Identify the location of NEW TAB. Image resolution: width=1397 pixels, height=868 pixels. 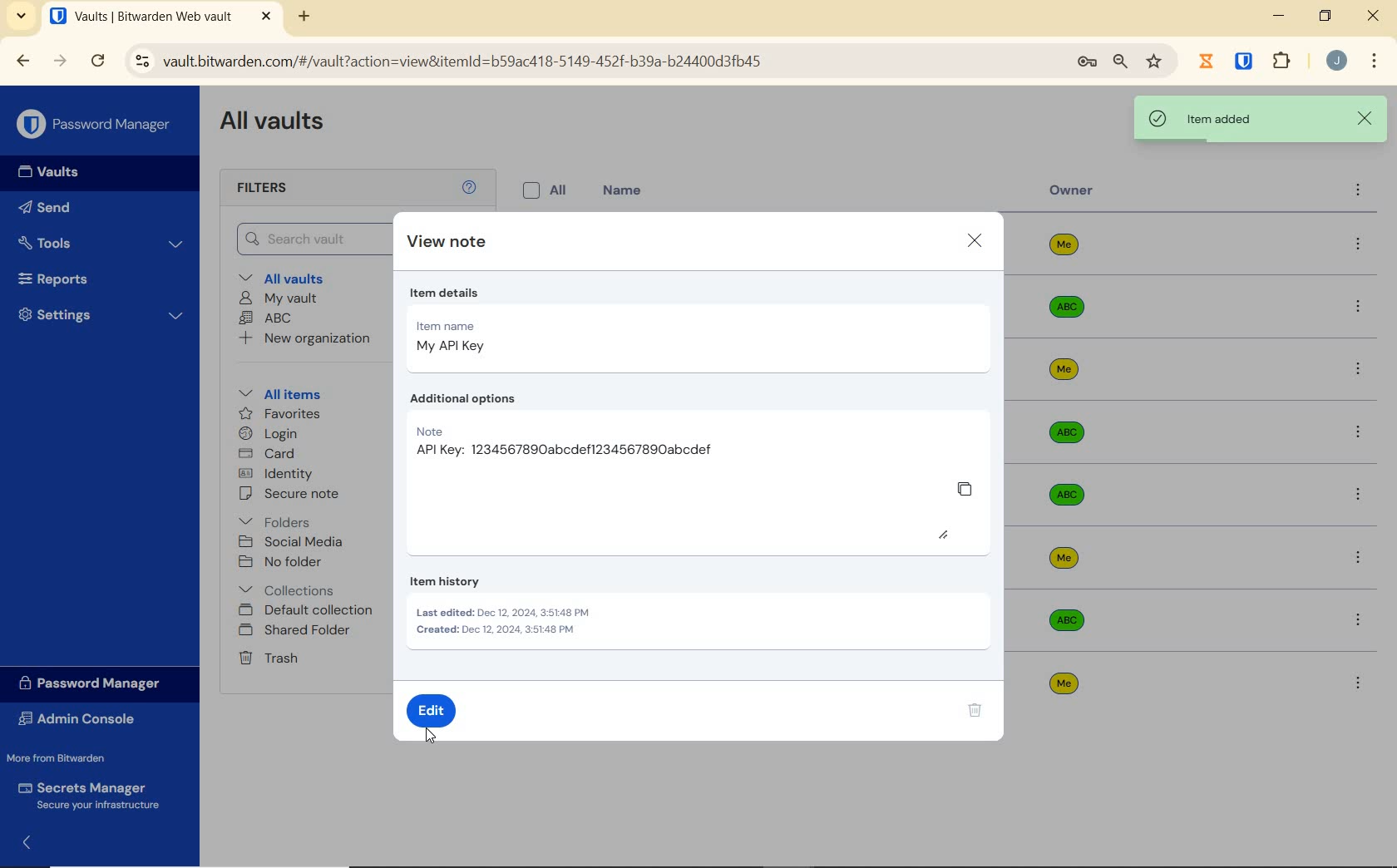
(306, 17).